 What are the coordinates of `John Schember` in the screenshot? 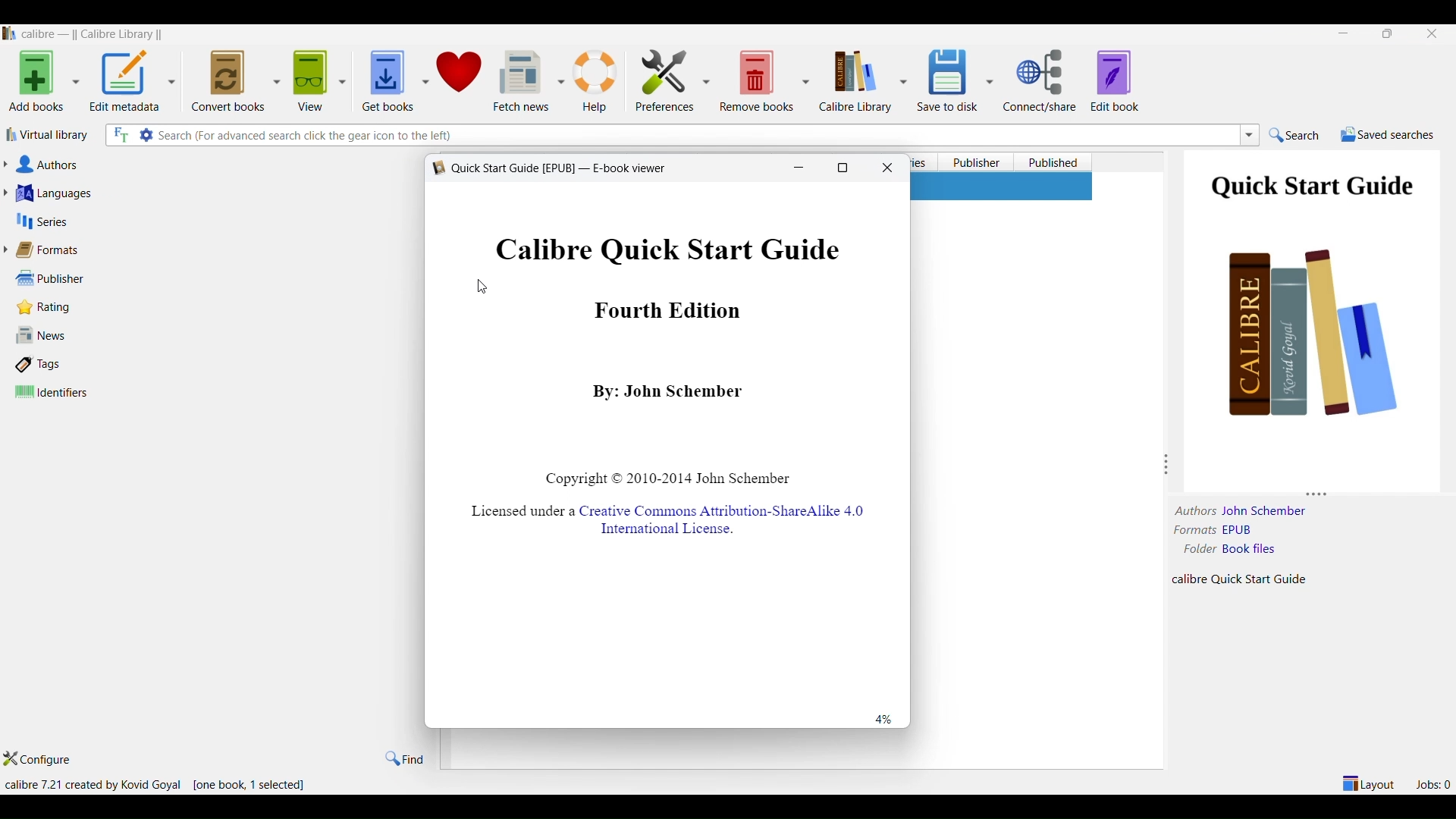 It's located at (1267, 510).